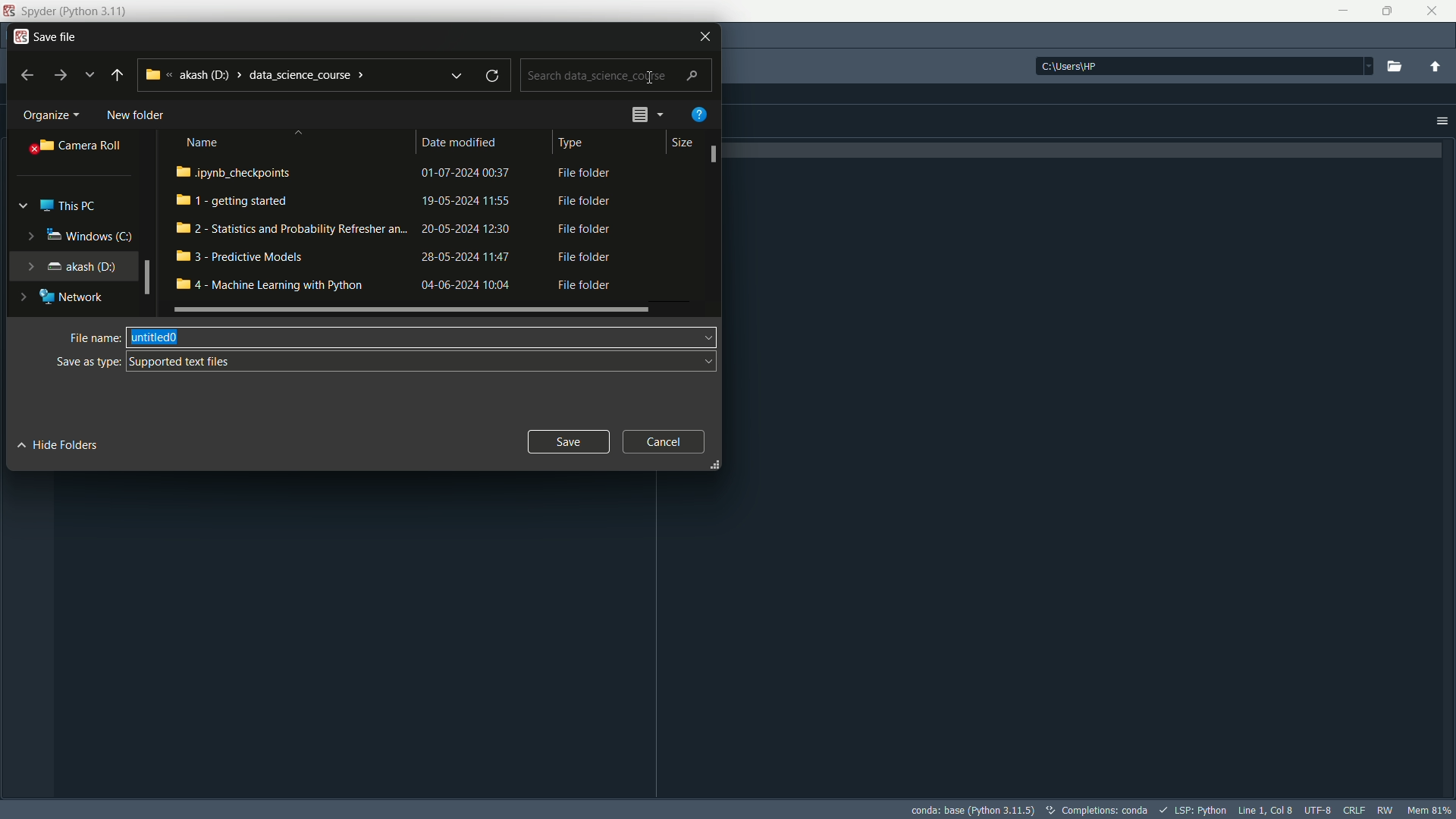 This screenshot has width=1456, height=819. What do you see at coordinates (281, 231) in the screenshot?
I see `Hl 2 - Statistics and Probability Refresher ar` at bounding box center [281, 231].